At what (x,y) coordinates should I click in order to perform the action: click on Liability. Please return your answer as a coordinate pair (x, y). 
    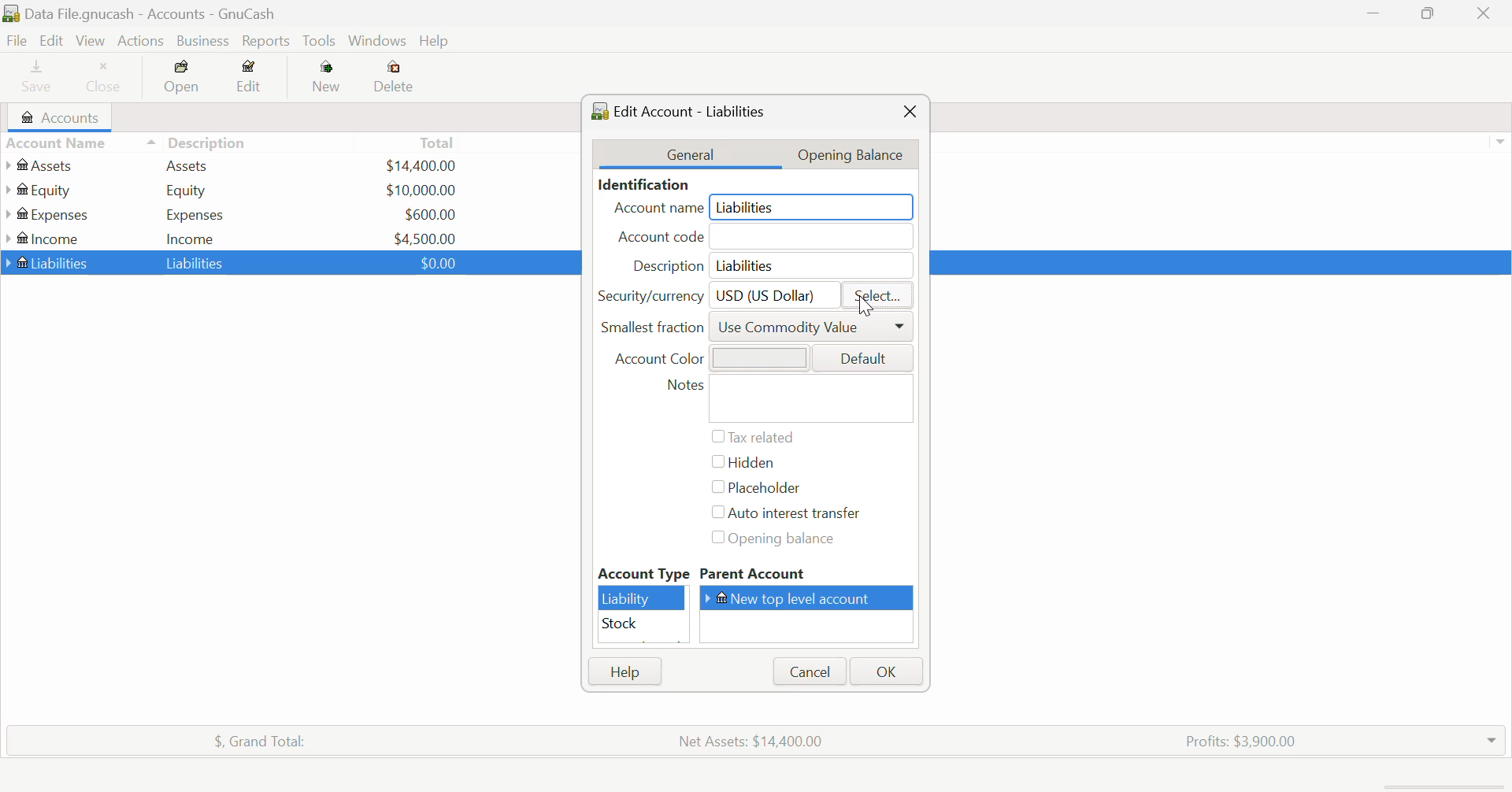
    Looking at the image, I should click on (643, 598).